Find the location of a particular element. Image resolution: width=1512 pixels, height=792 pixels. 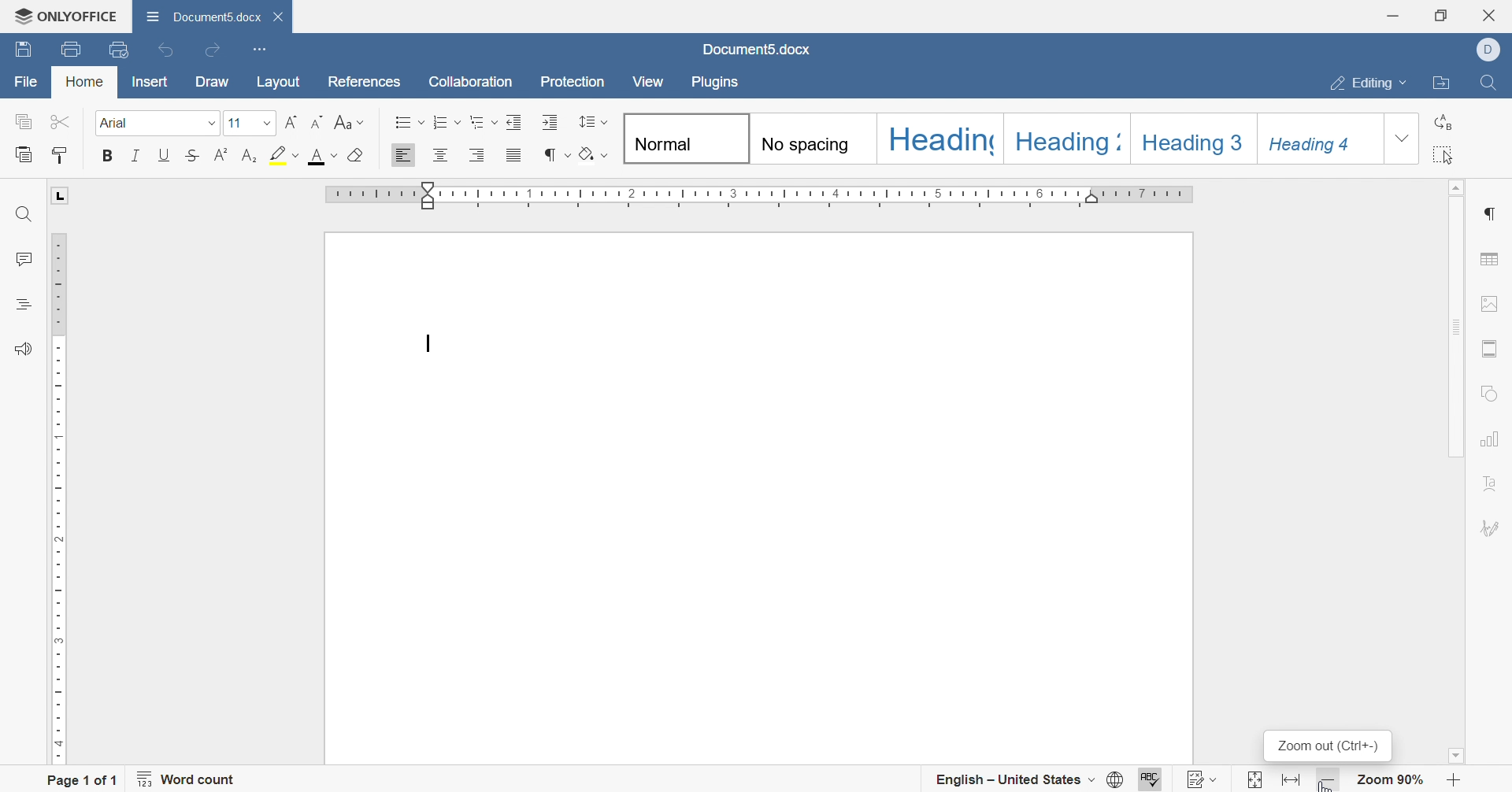

multilevel list is located at coordinates (484, 123).